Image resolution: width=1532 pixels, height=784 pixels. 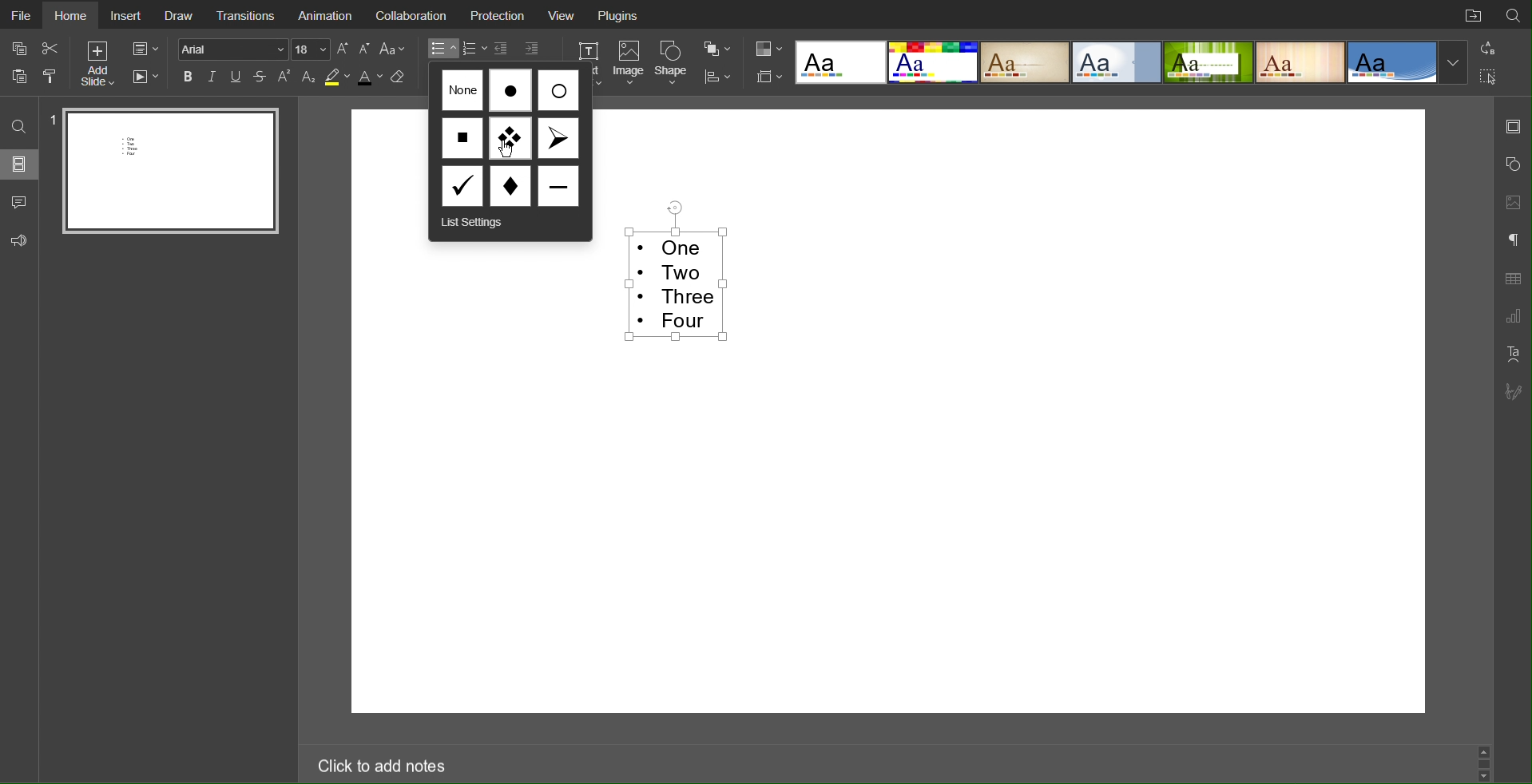 What do you see at coordinates (562, 14) in the screenshot?
I see `View` at bounding box center [562, 14].